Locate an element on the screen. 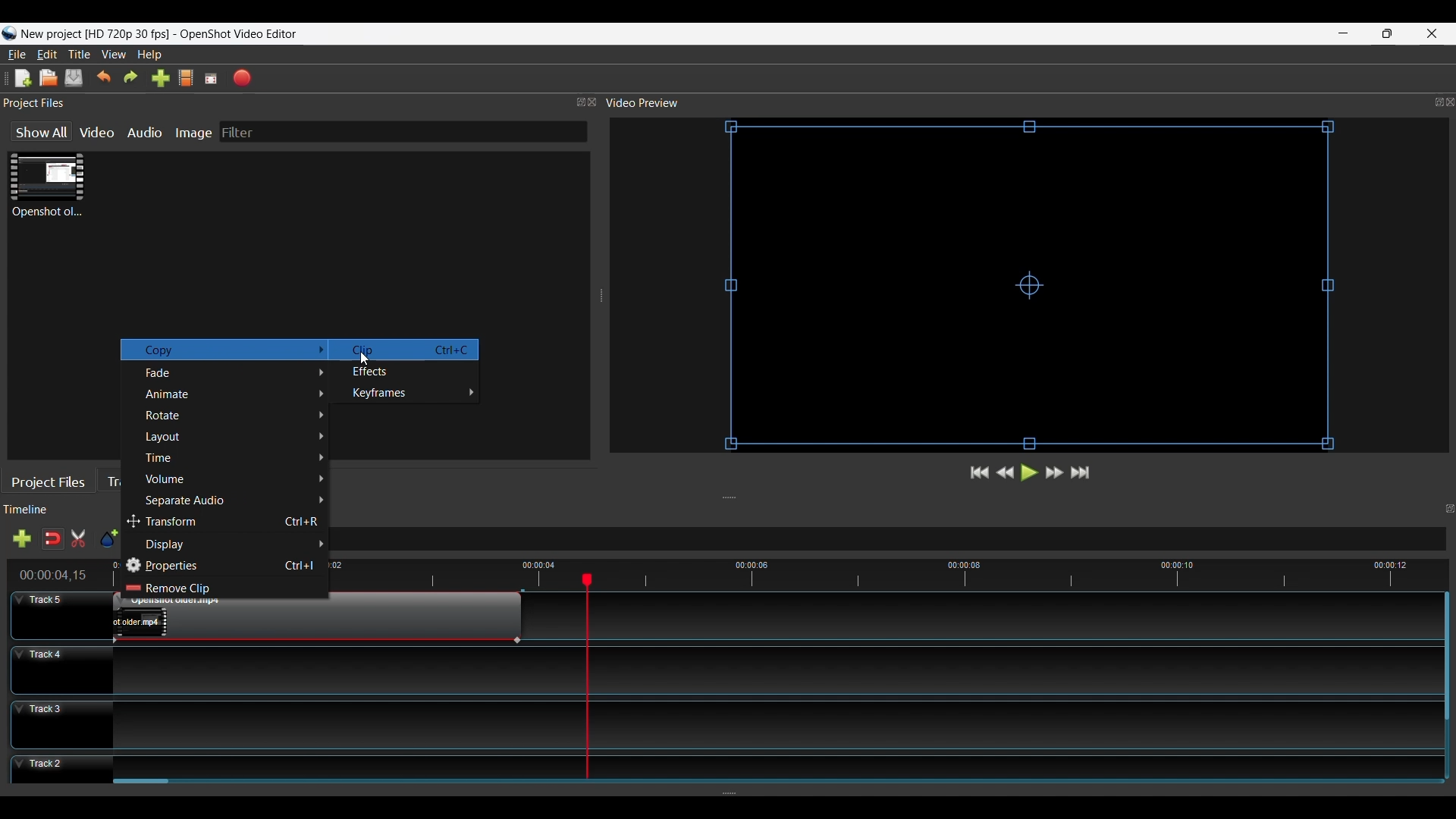 The width and height of the screenshot is (1456, 819). Track Header is located at coordinates (61, 723).